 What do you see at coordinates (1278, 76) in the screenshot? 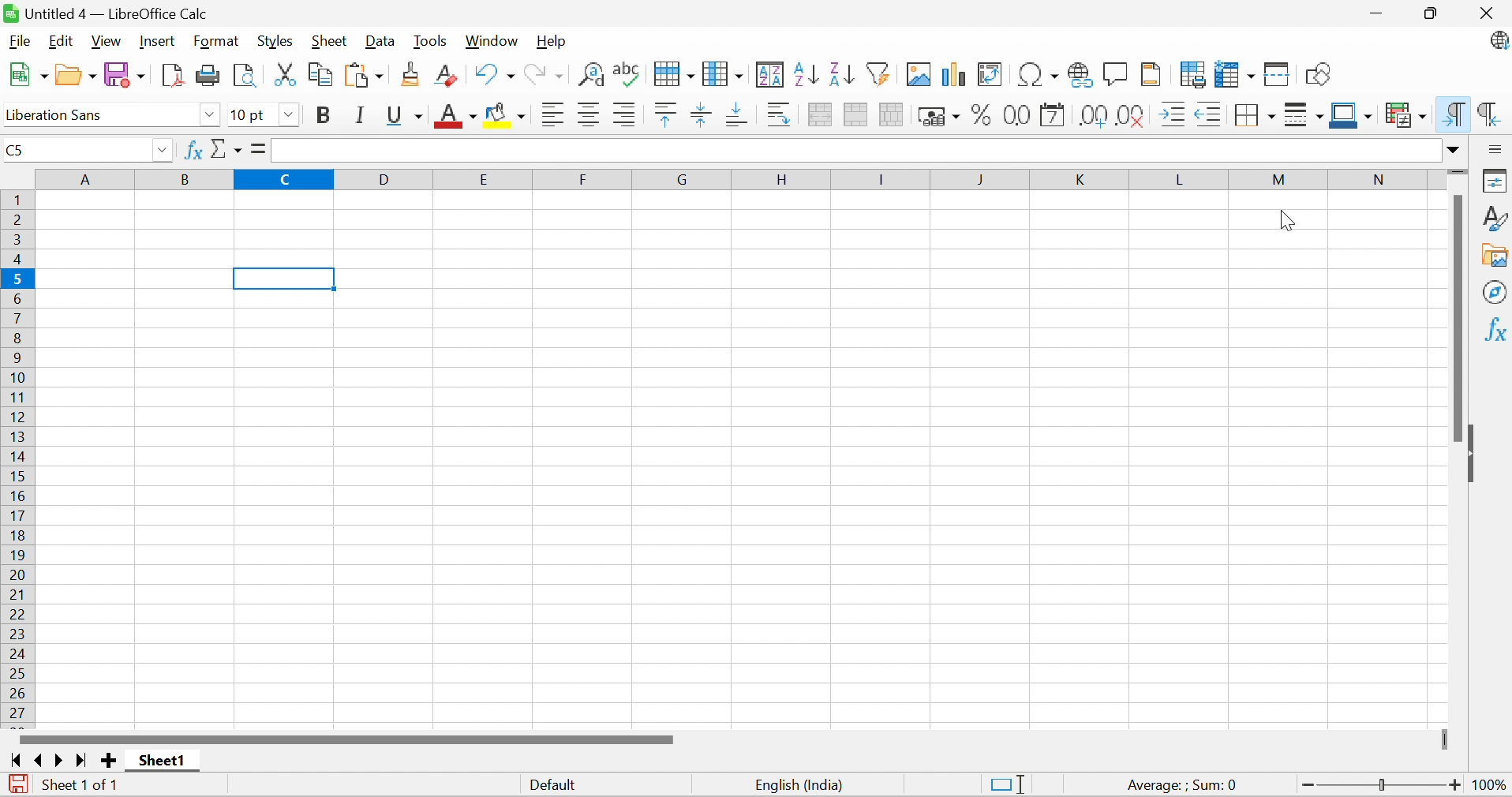
I see `Split window` at bounding box center [1278, 76].